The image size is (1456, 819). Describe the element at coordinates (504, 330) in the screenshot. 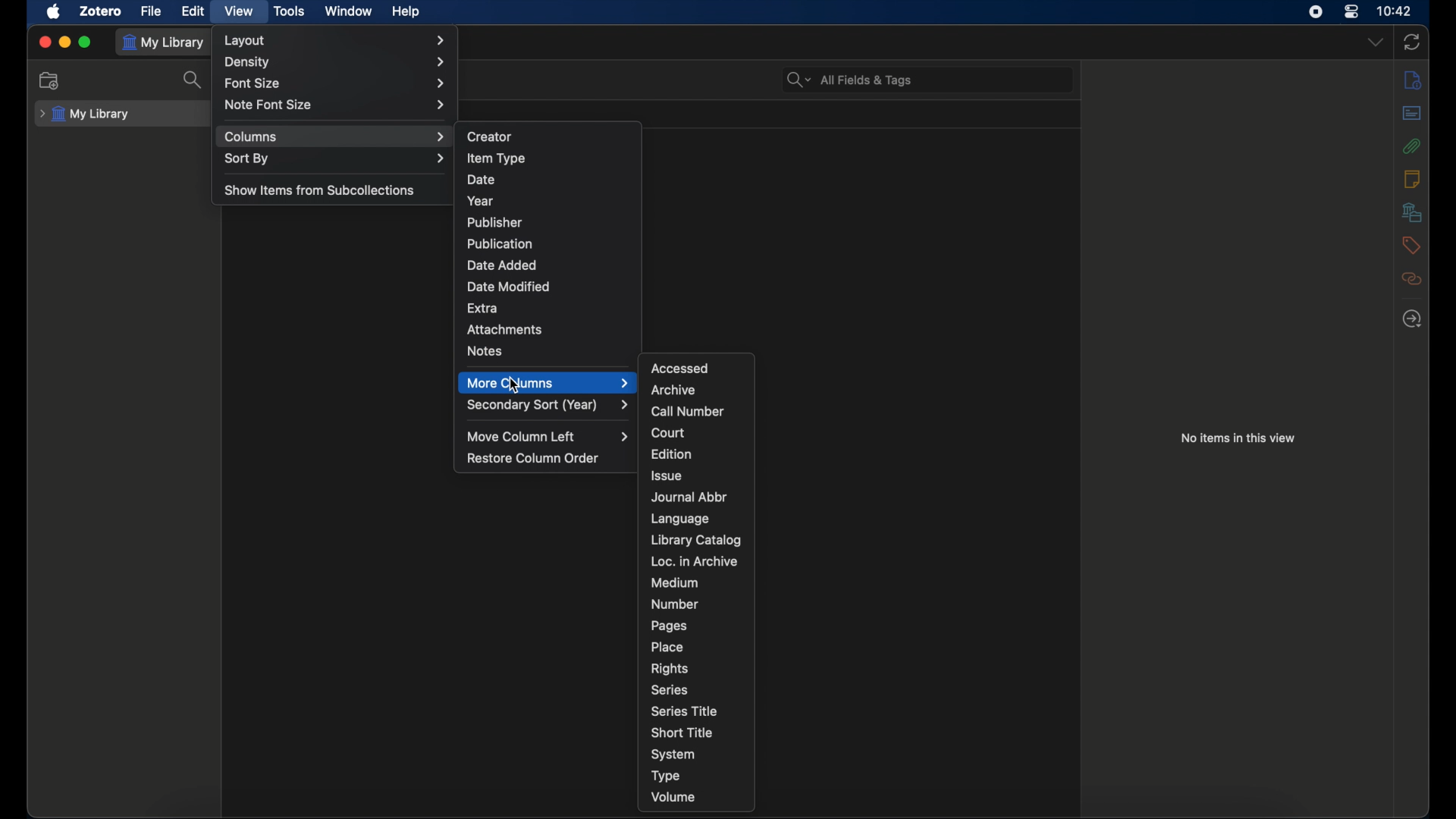

I see `attachments` at that location.